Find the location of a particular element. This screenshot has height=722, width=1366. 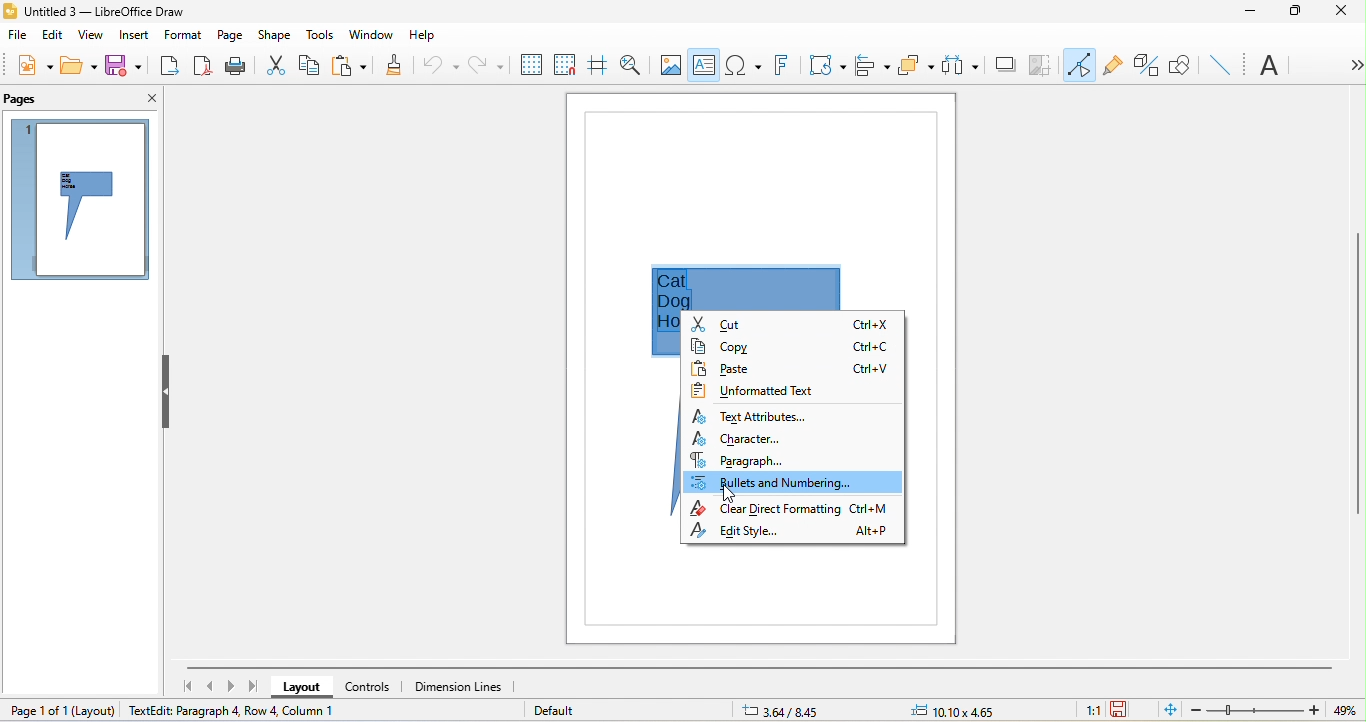

minimize is located at coordinates (1250, 12).